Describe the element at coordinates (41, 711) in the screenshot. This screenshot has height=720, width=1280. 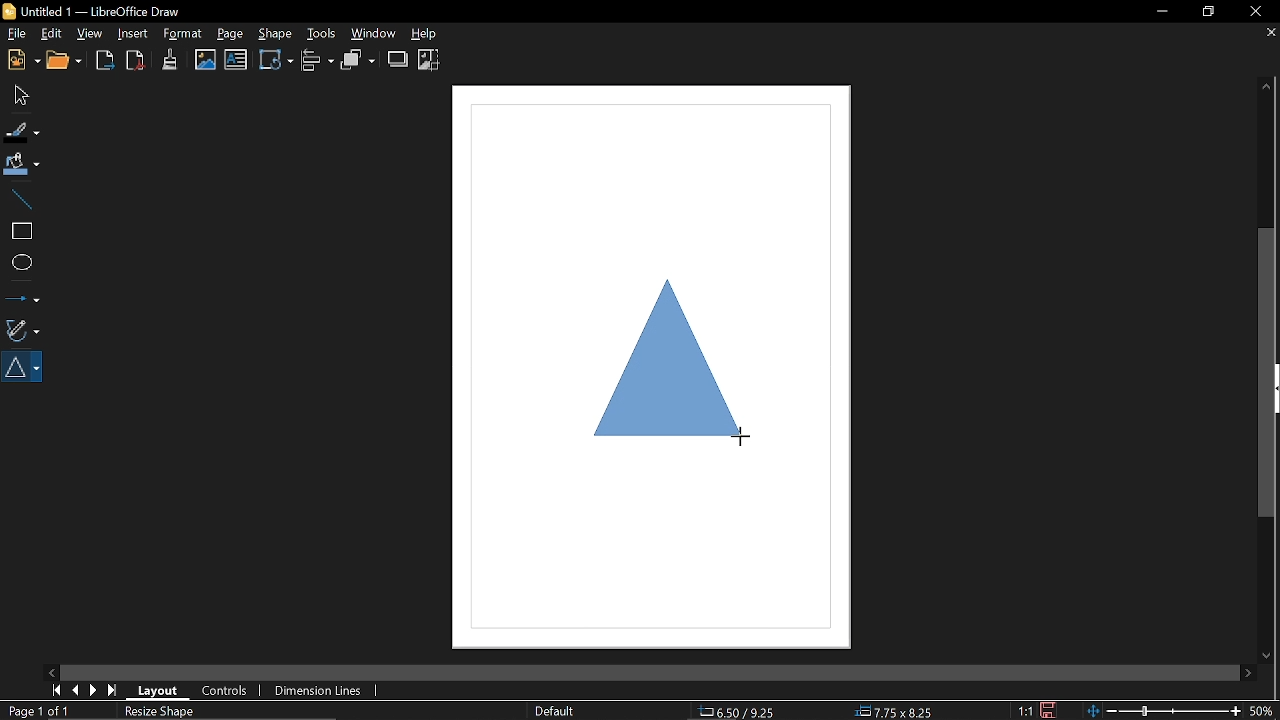
I see `Current page` at that location.